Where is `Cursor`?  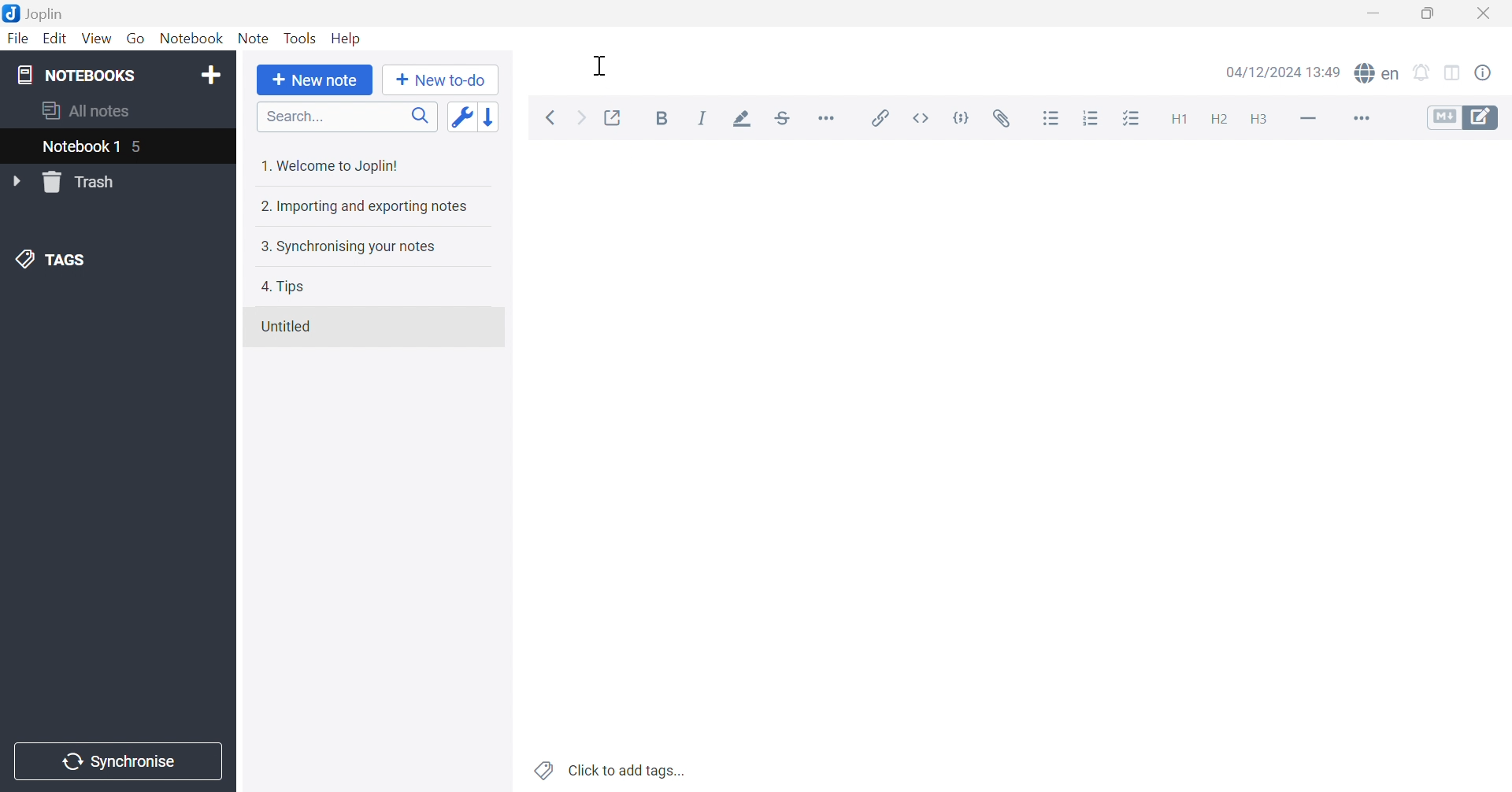
Cursor is located at coordinates (598, 66).